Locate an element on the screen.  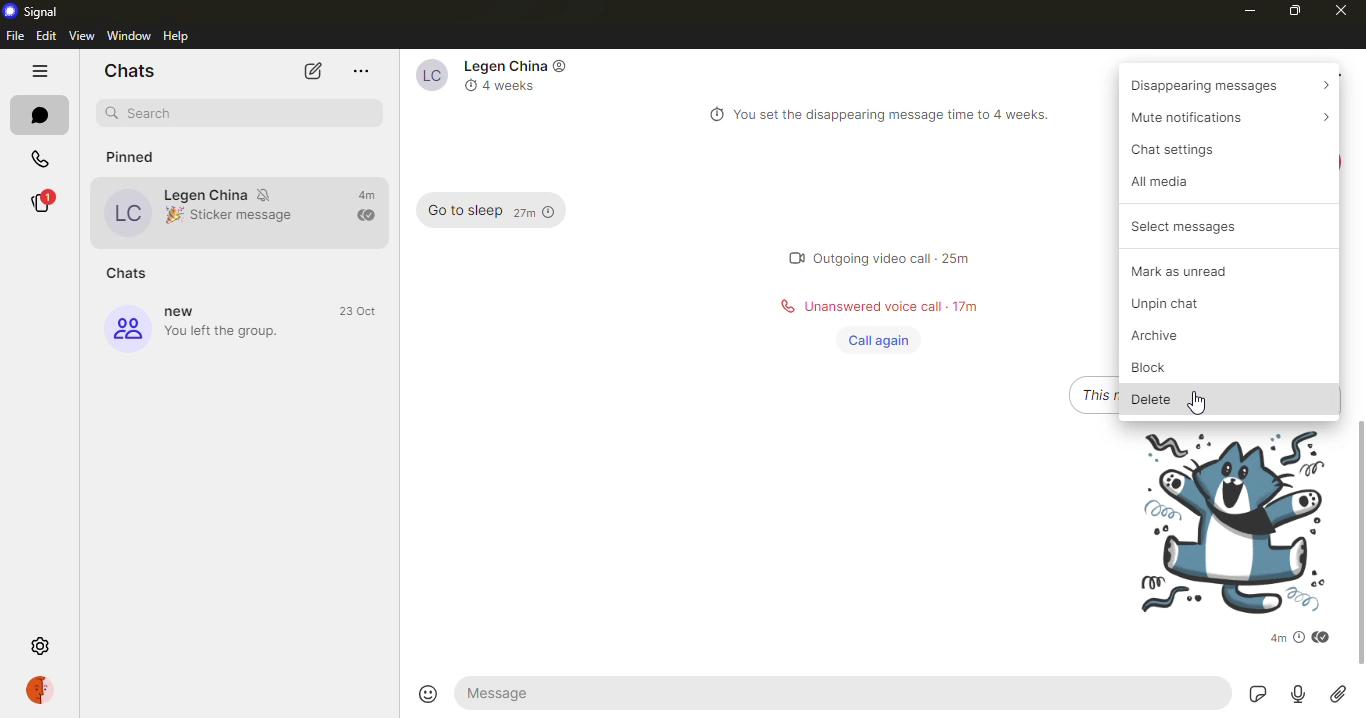
chats is located at coordinates (127, 69).